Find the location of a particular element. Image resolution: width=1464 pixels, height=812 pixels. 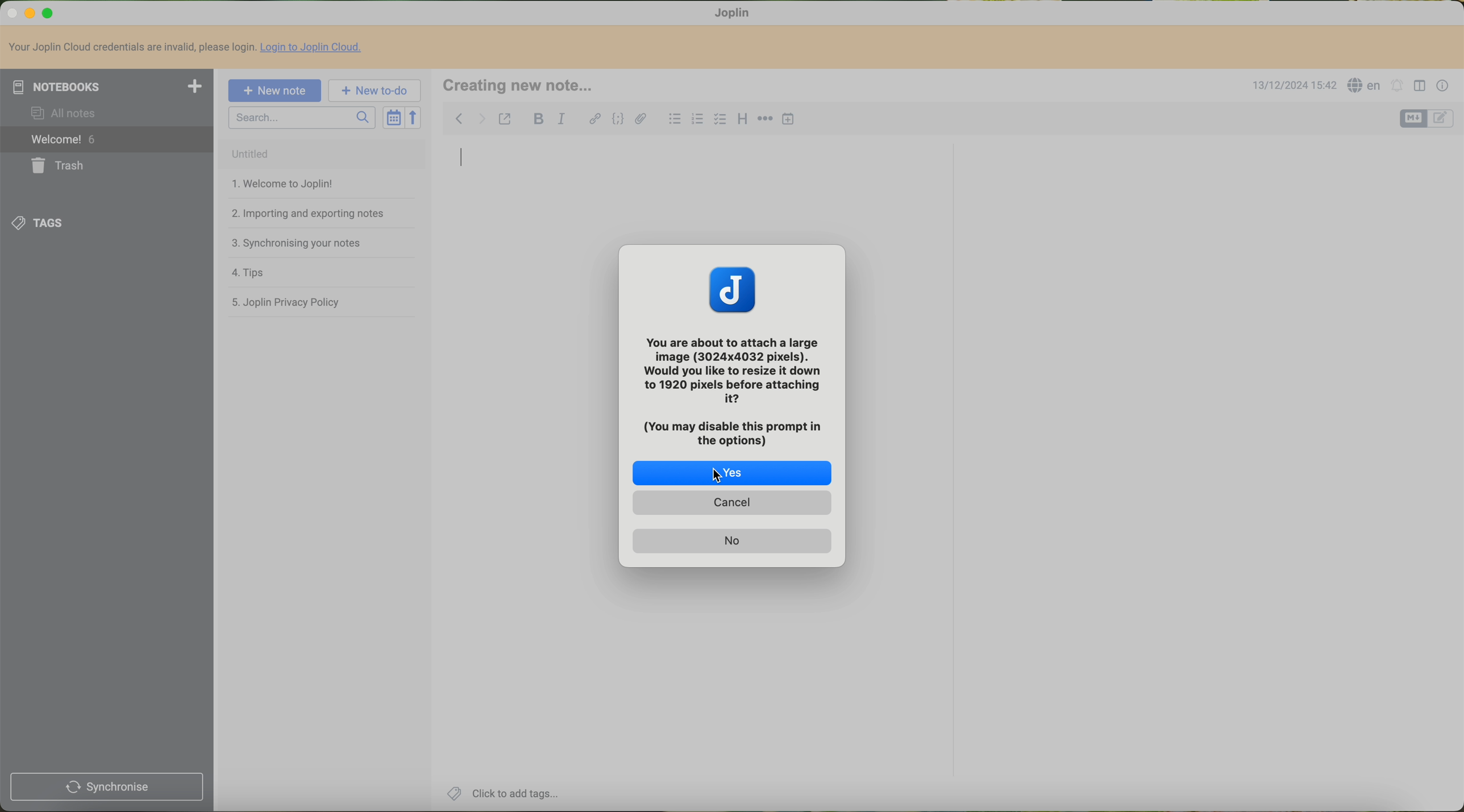

search bar is located at coordinates (302, 118).